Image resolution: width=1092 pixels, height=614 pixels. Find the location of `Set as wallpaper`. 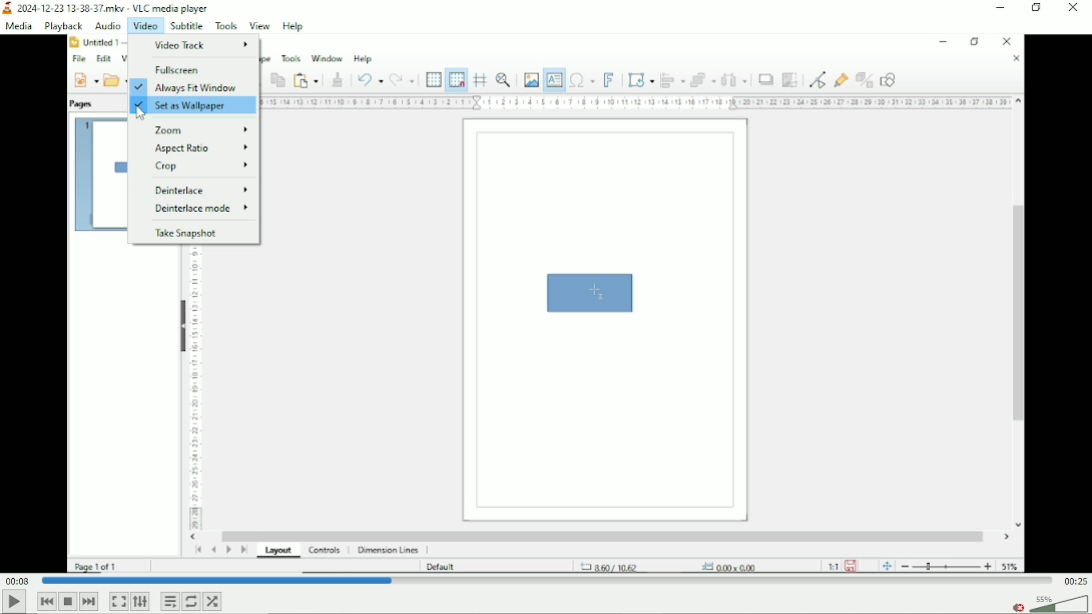

Set as wallpaper is located at coordinates (183, 106).